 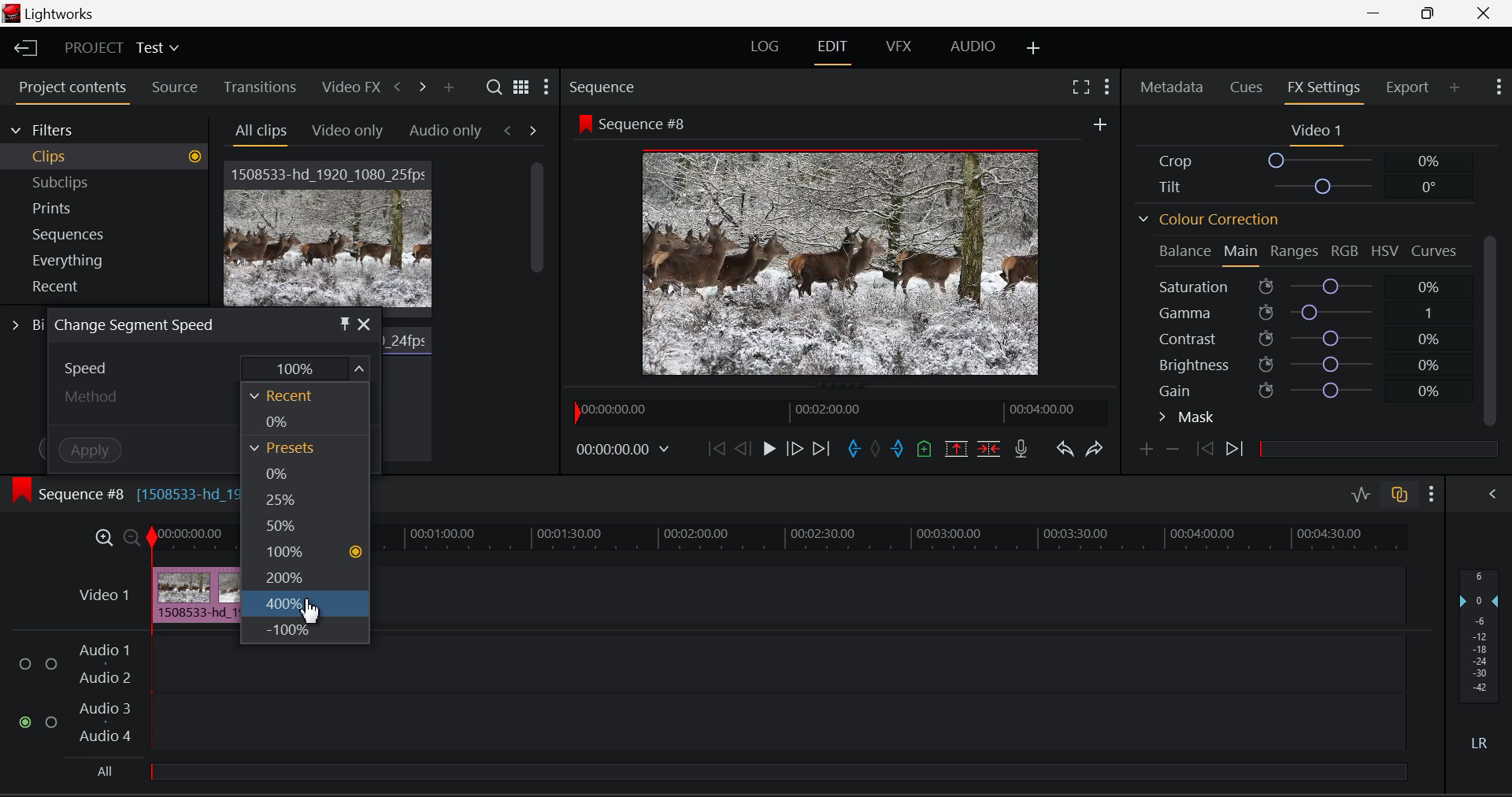 I want to click on Subclips, so click(x=114, y=182).